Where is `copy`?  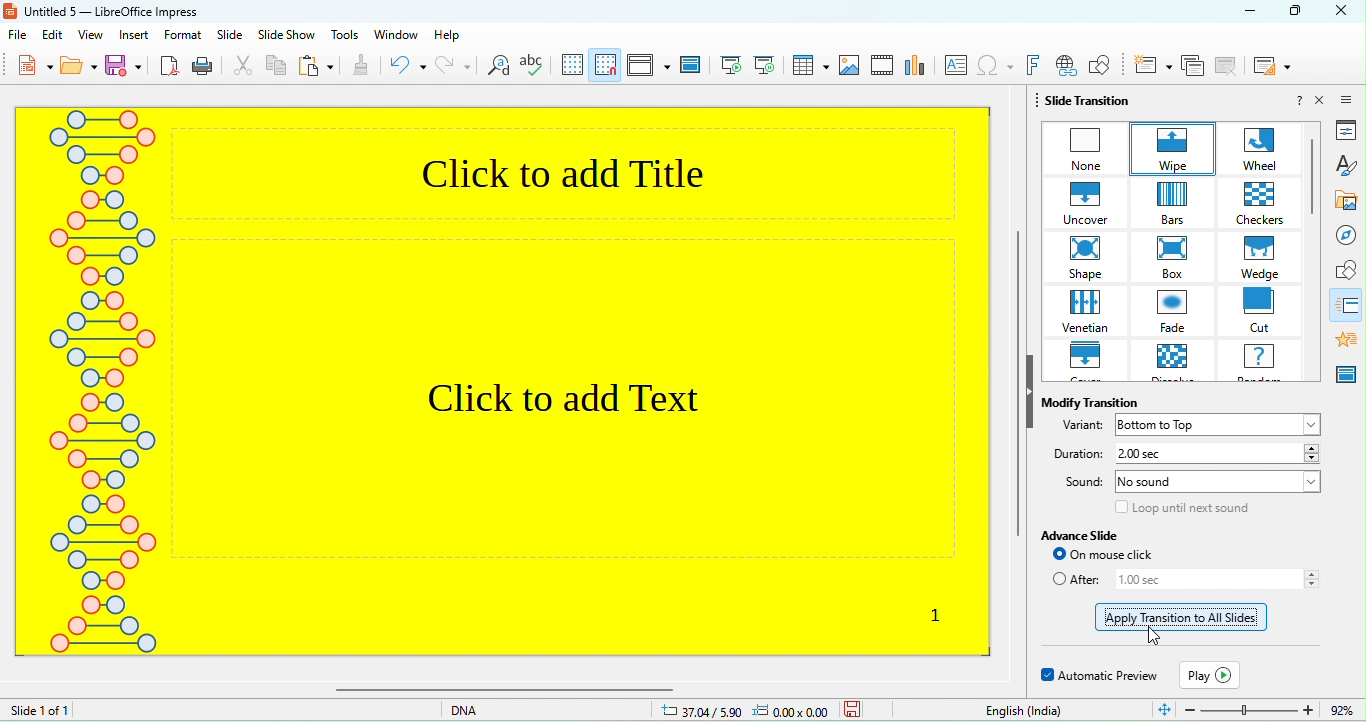 copy is located at coordinates (280, 68).